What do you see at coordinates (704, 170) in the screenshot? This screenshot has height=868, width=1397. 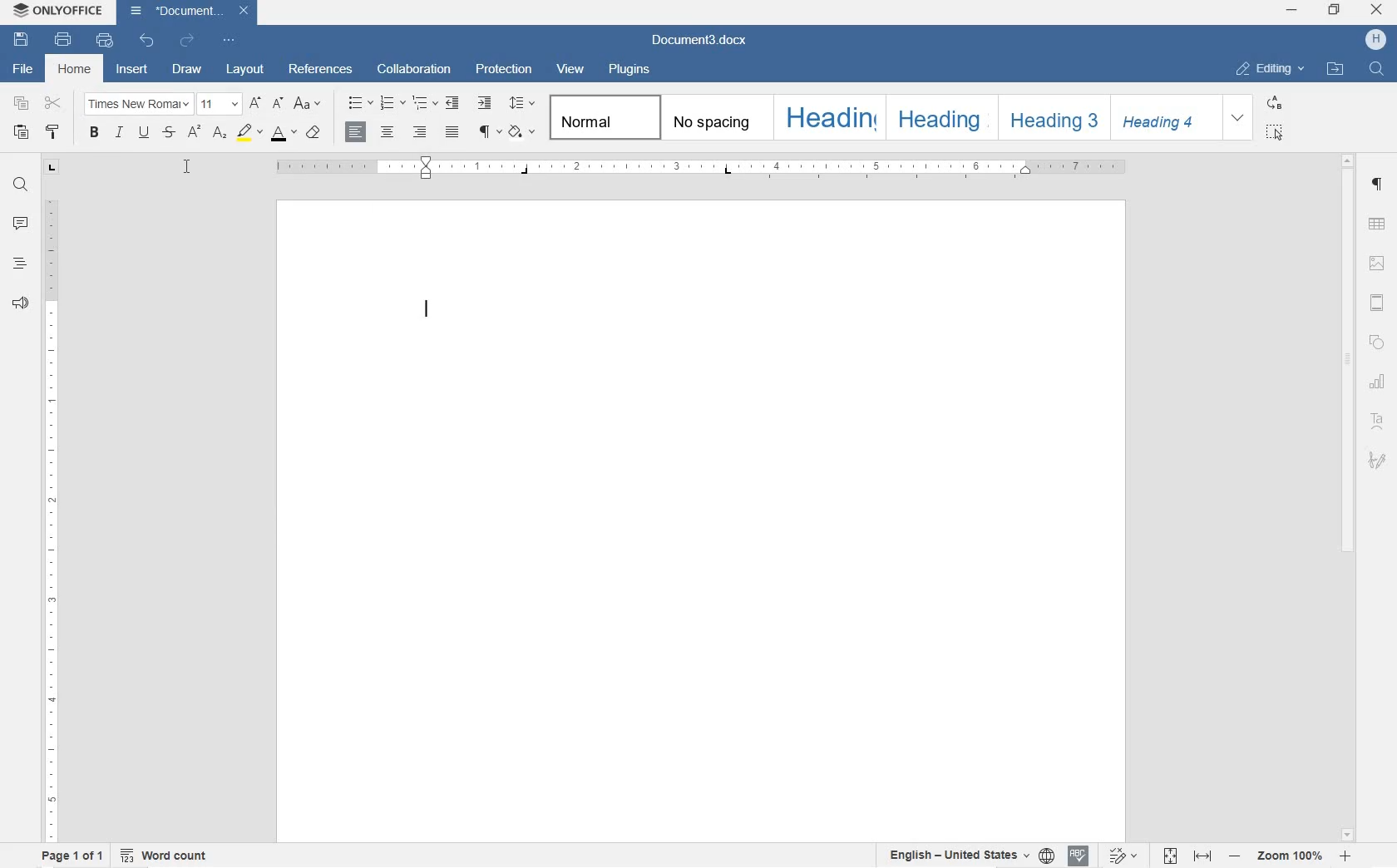 I see `RULER` at bounding box center [704, 170].